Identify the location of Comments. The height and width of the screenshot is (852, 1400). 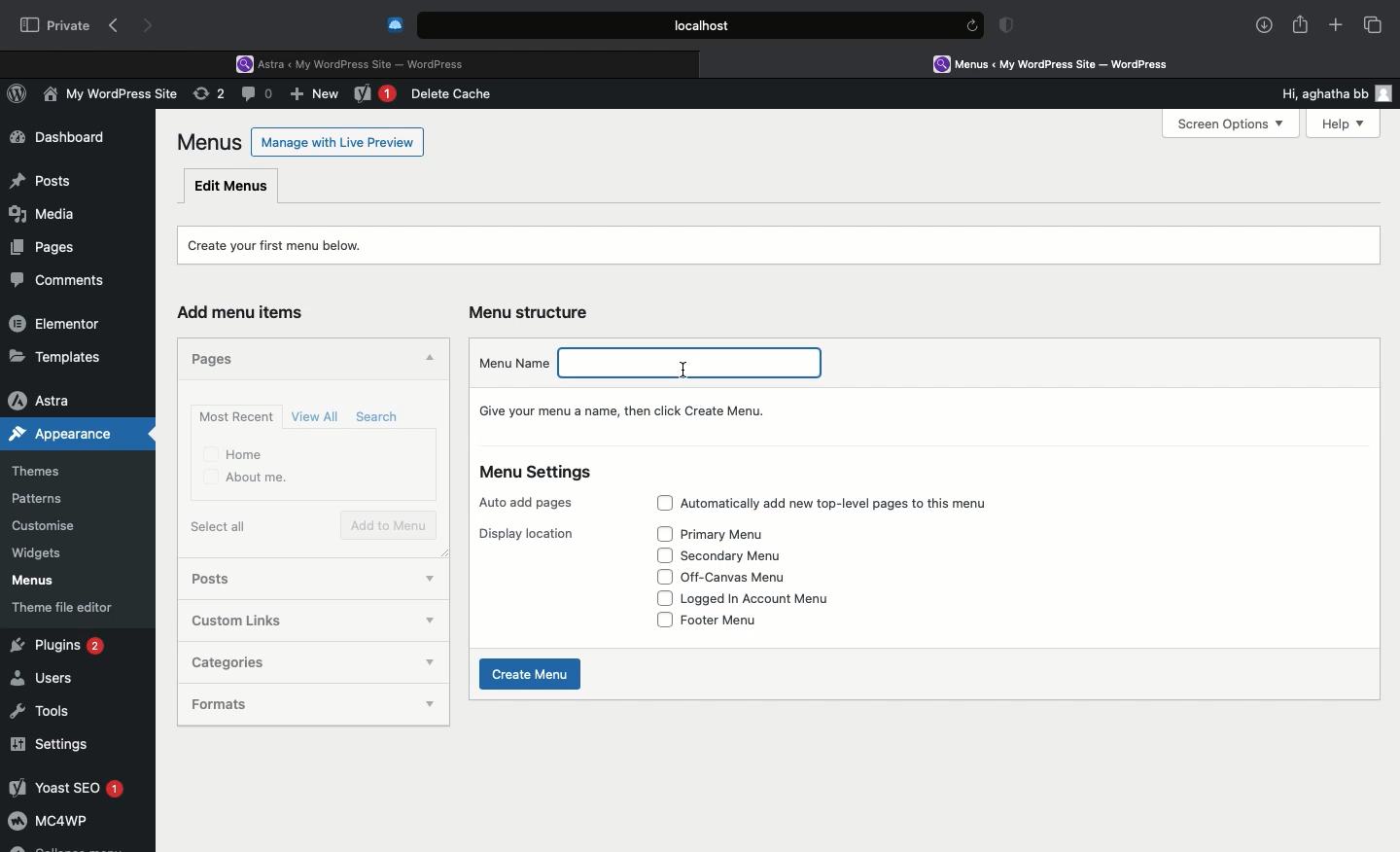
(66, 281).